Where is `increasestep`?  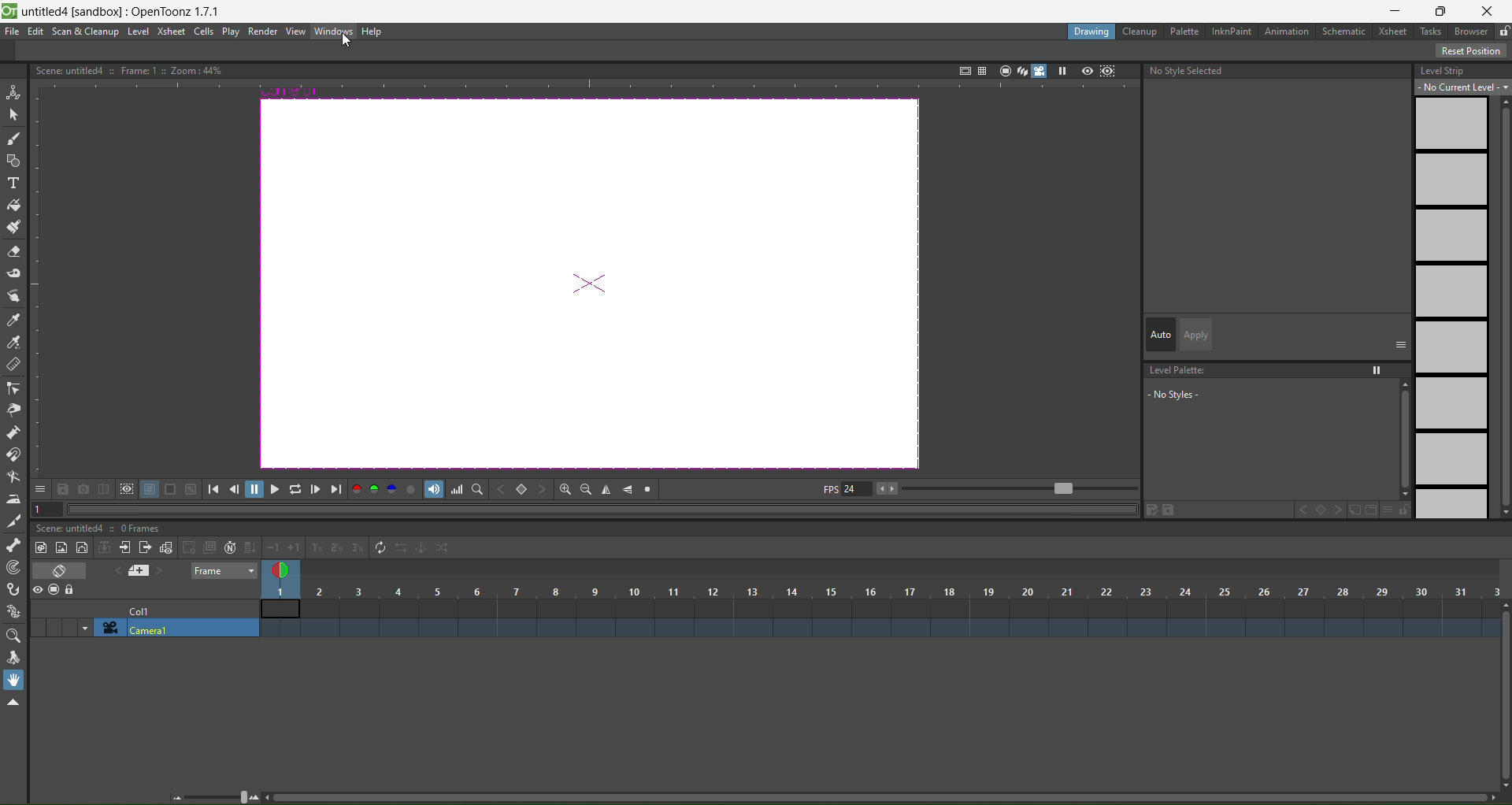
increasestep is located at coordinates (314, 546).